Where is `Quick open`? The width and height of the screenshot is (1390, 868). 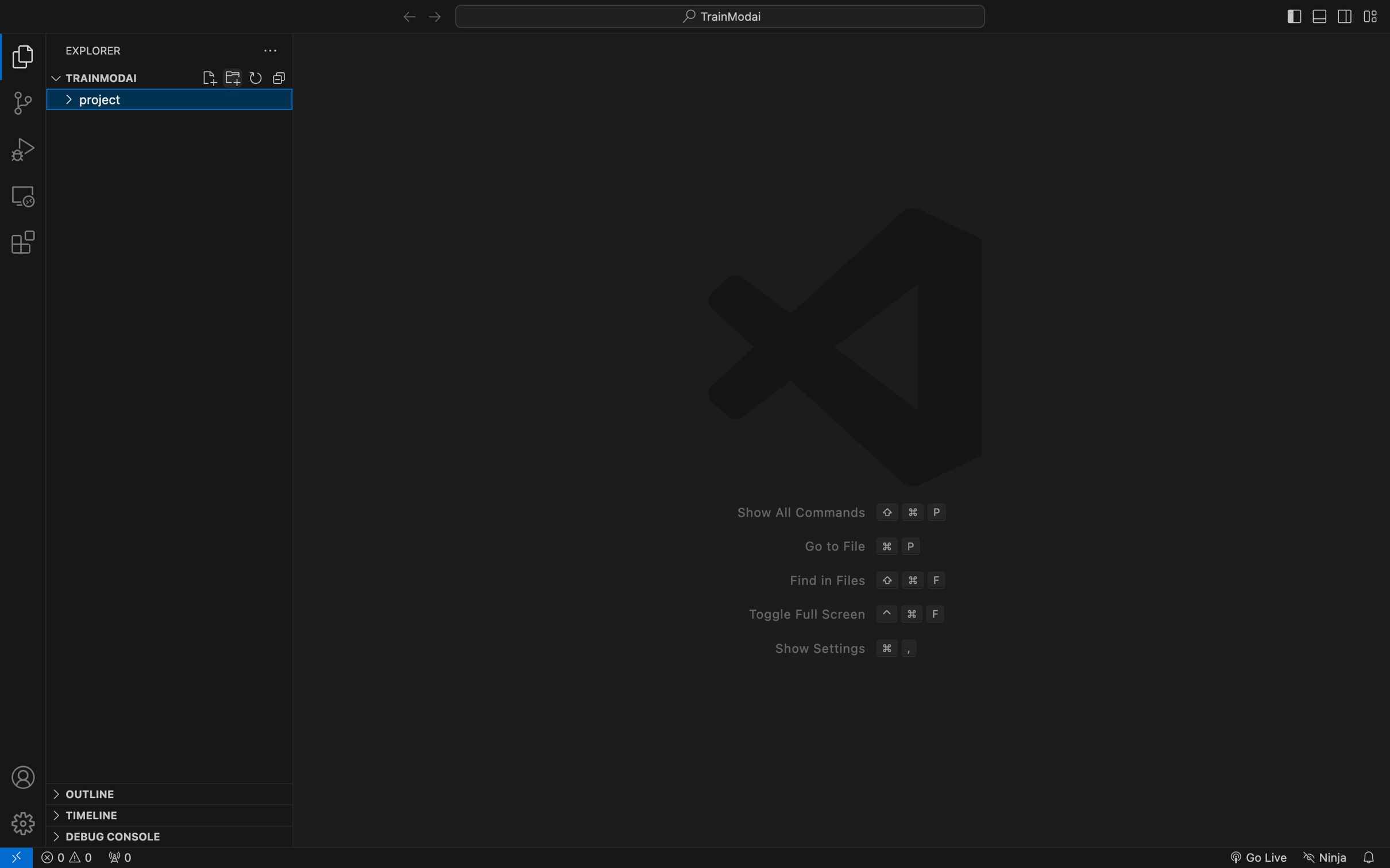
Quick open is located at coordinates (723, 17).